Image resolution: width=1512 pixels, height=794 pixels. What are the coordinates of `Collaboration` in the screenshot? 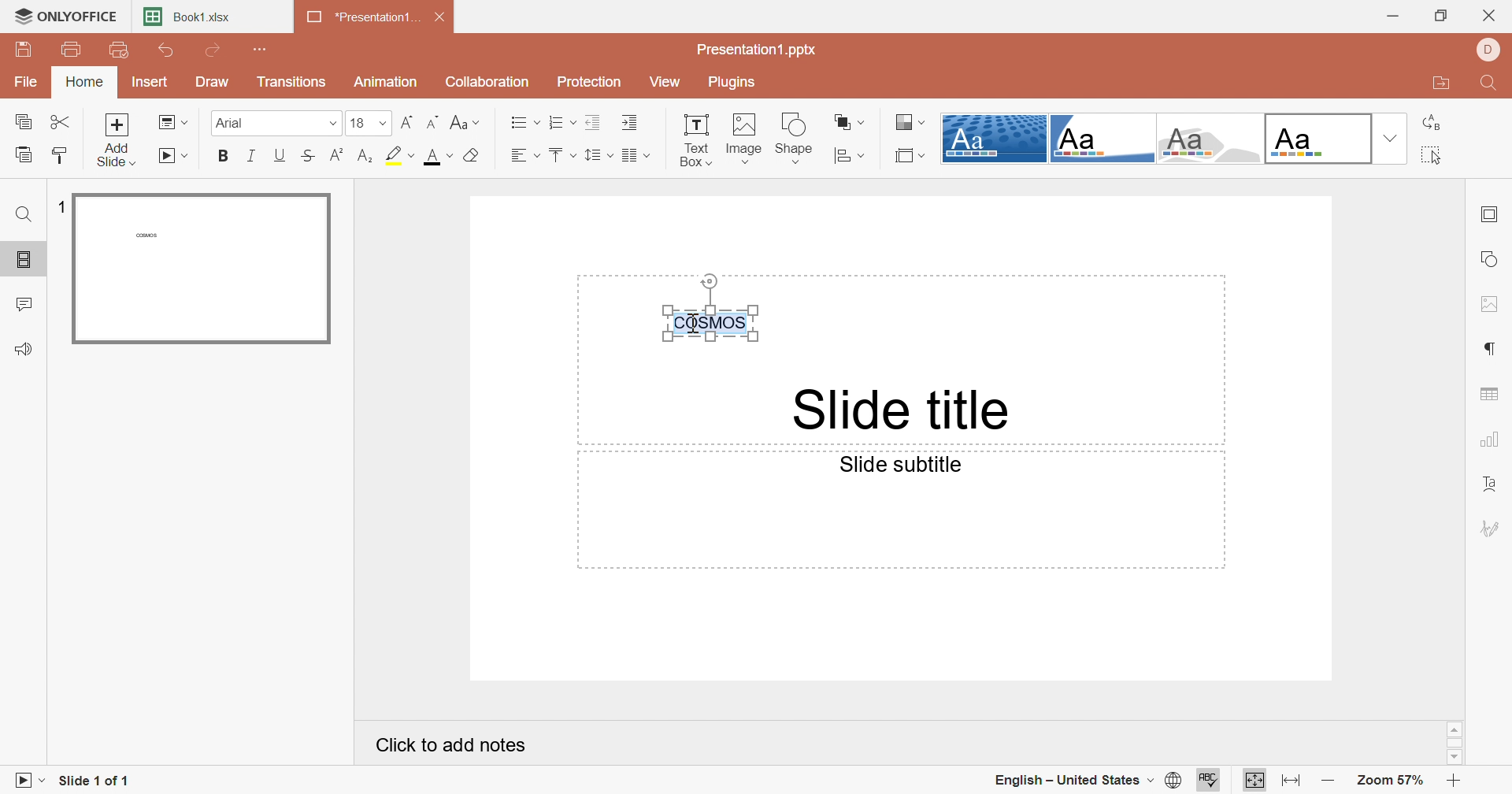 It's located at (483, 80).